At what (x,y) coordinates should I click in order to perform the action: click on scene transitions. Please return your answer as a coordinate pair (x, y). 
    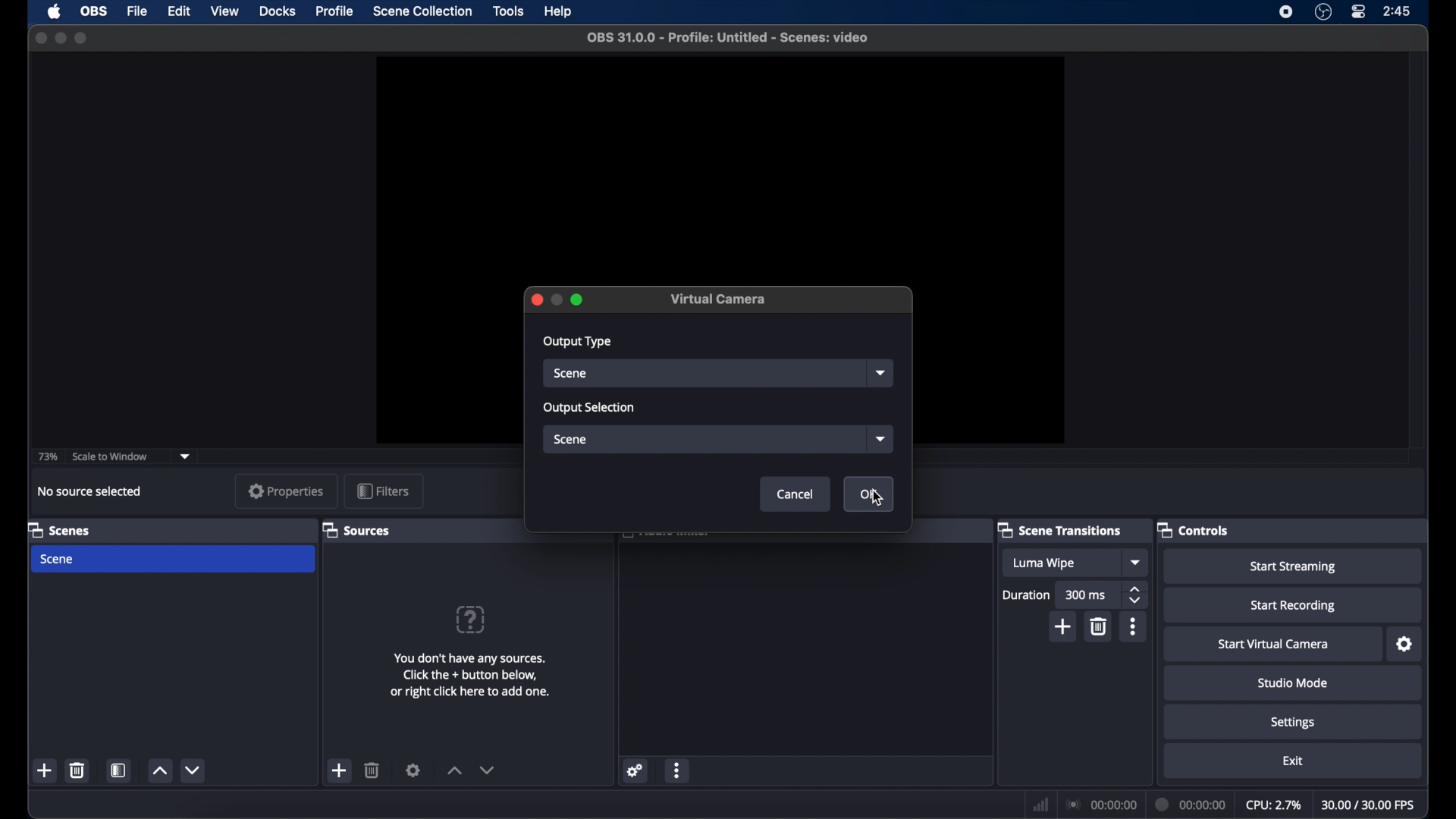
    Looking at the image, I should click on (1059, 531).